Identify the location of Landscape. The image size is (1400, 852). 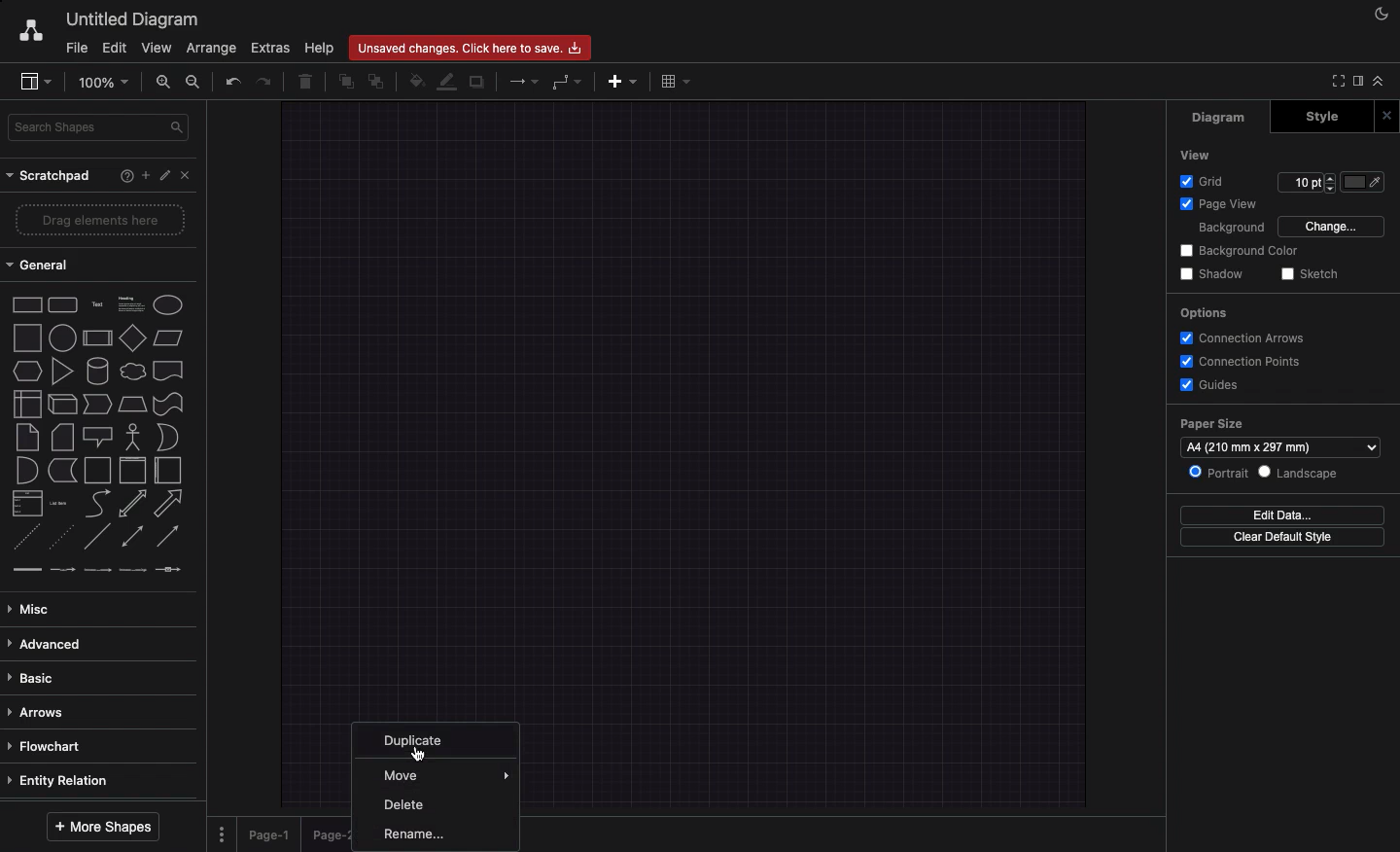
(1299, 473).